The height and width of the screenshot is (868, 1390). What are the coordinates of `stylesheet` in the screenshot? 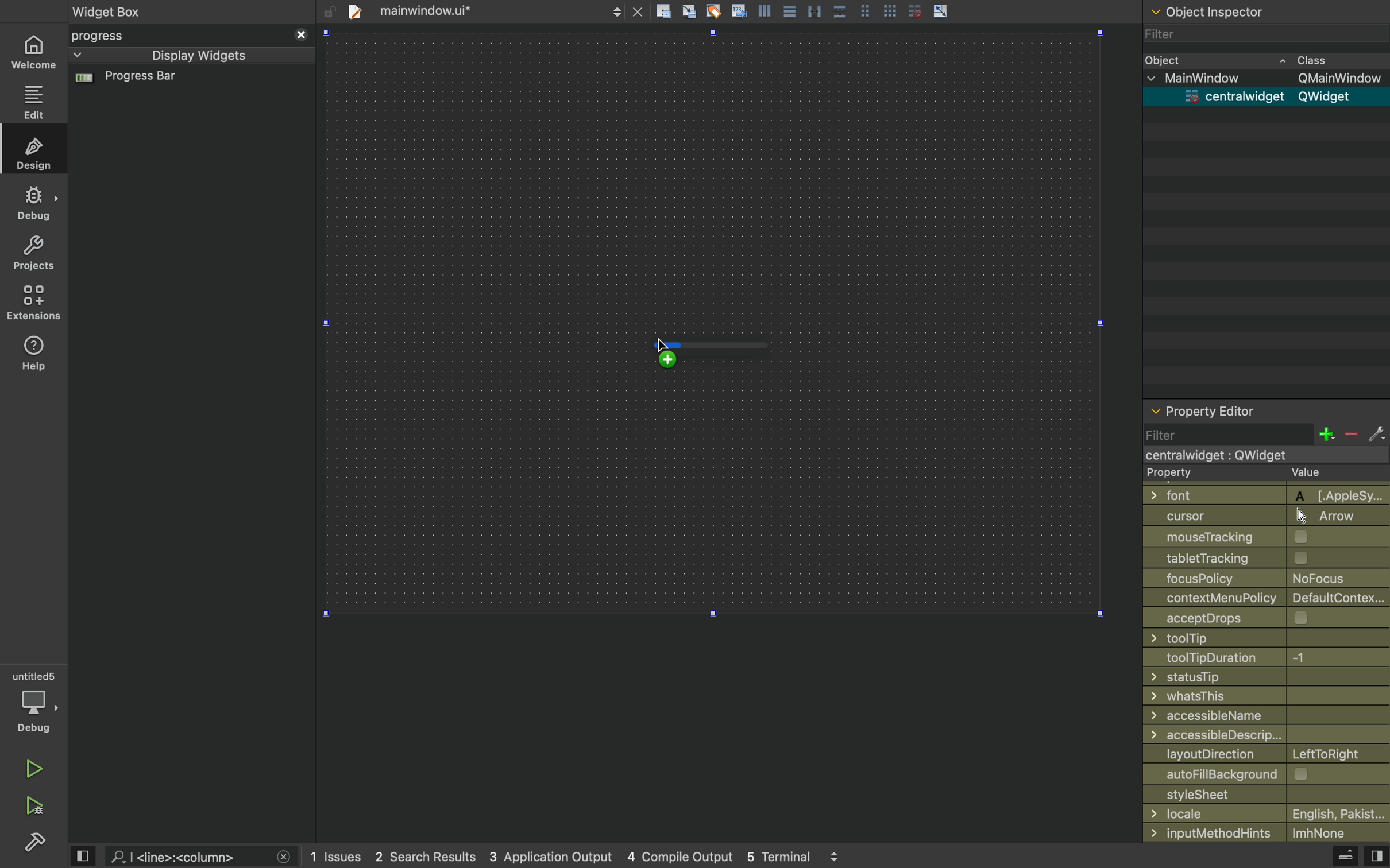 It's located at (1267, 793).